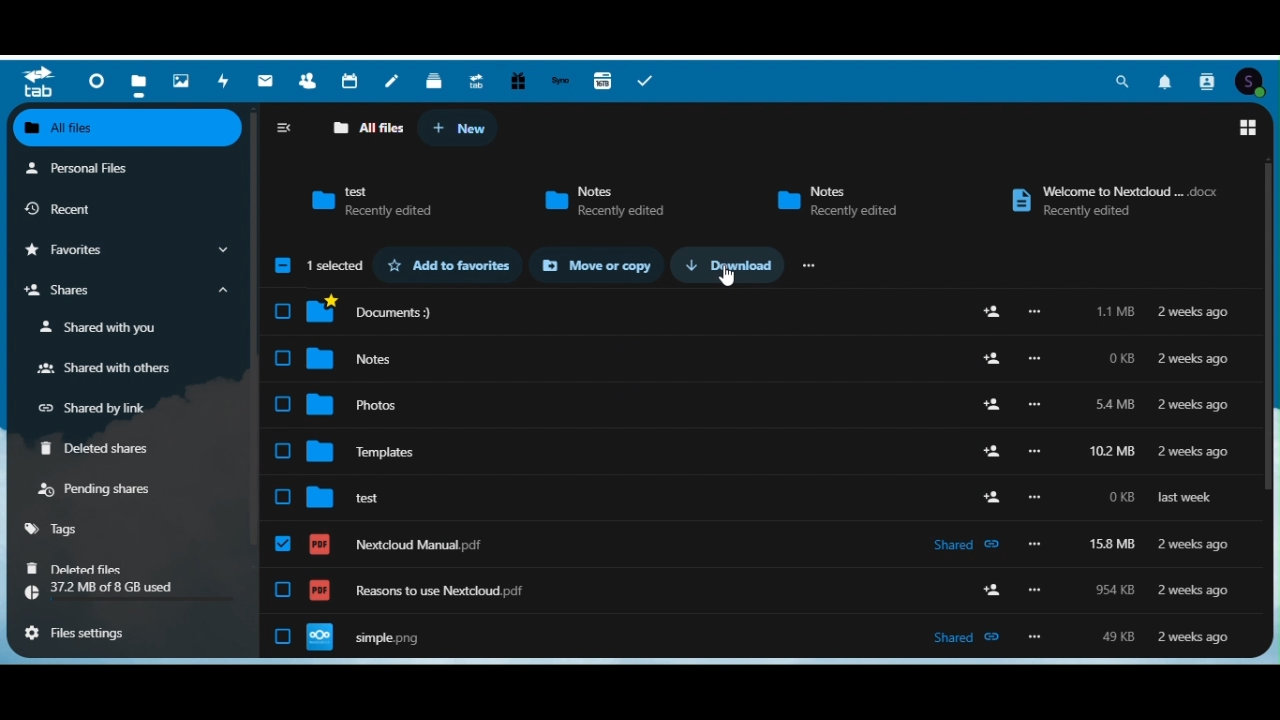 The image size is (1280, 720). What do you see at coordinates (365, 202) in the screenshot?
I see `test recently added` at bounding box center [365, 202].